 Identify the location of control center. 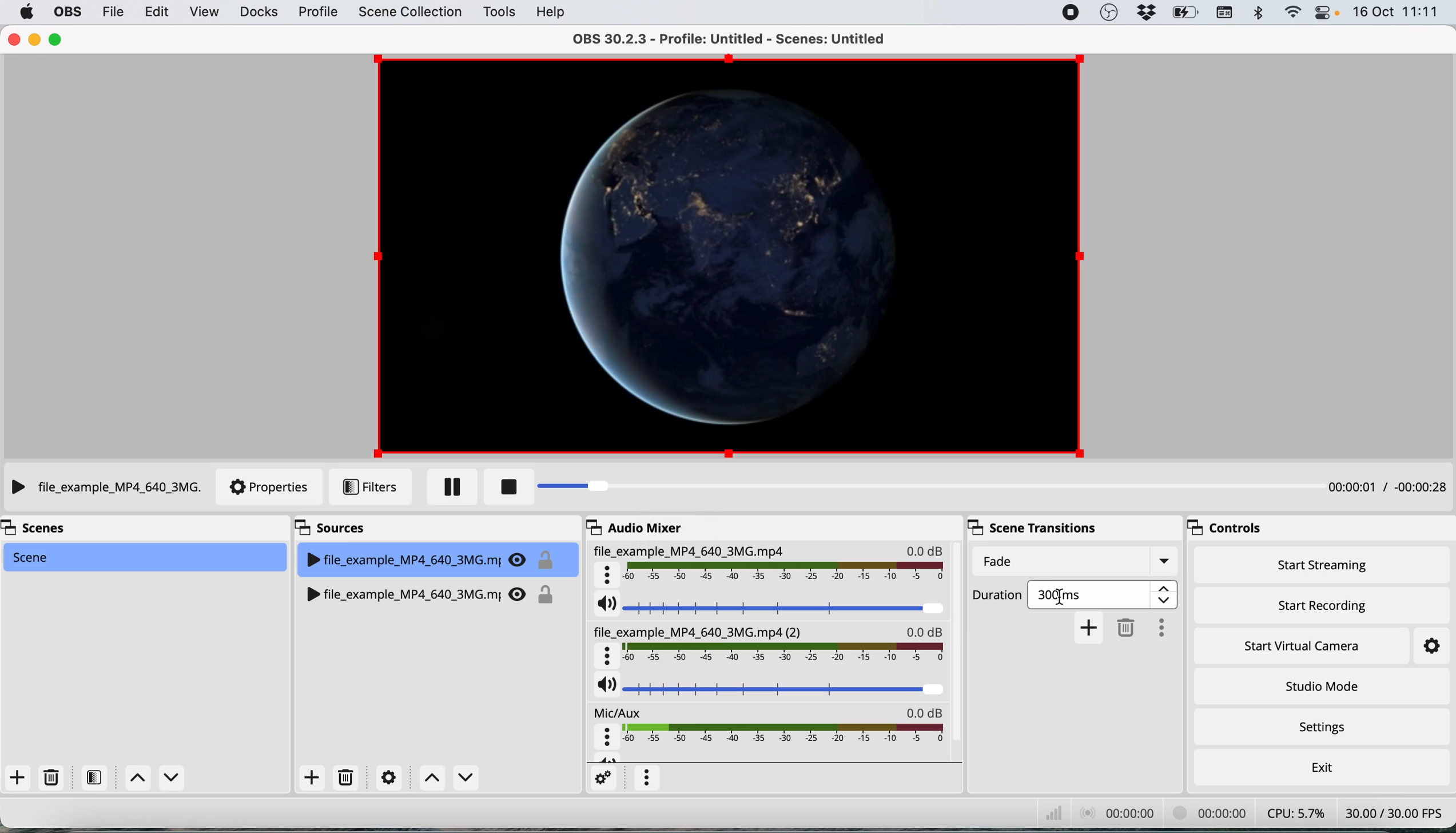
(1322, 13).